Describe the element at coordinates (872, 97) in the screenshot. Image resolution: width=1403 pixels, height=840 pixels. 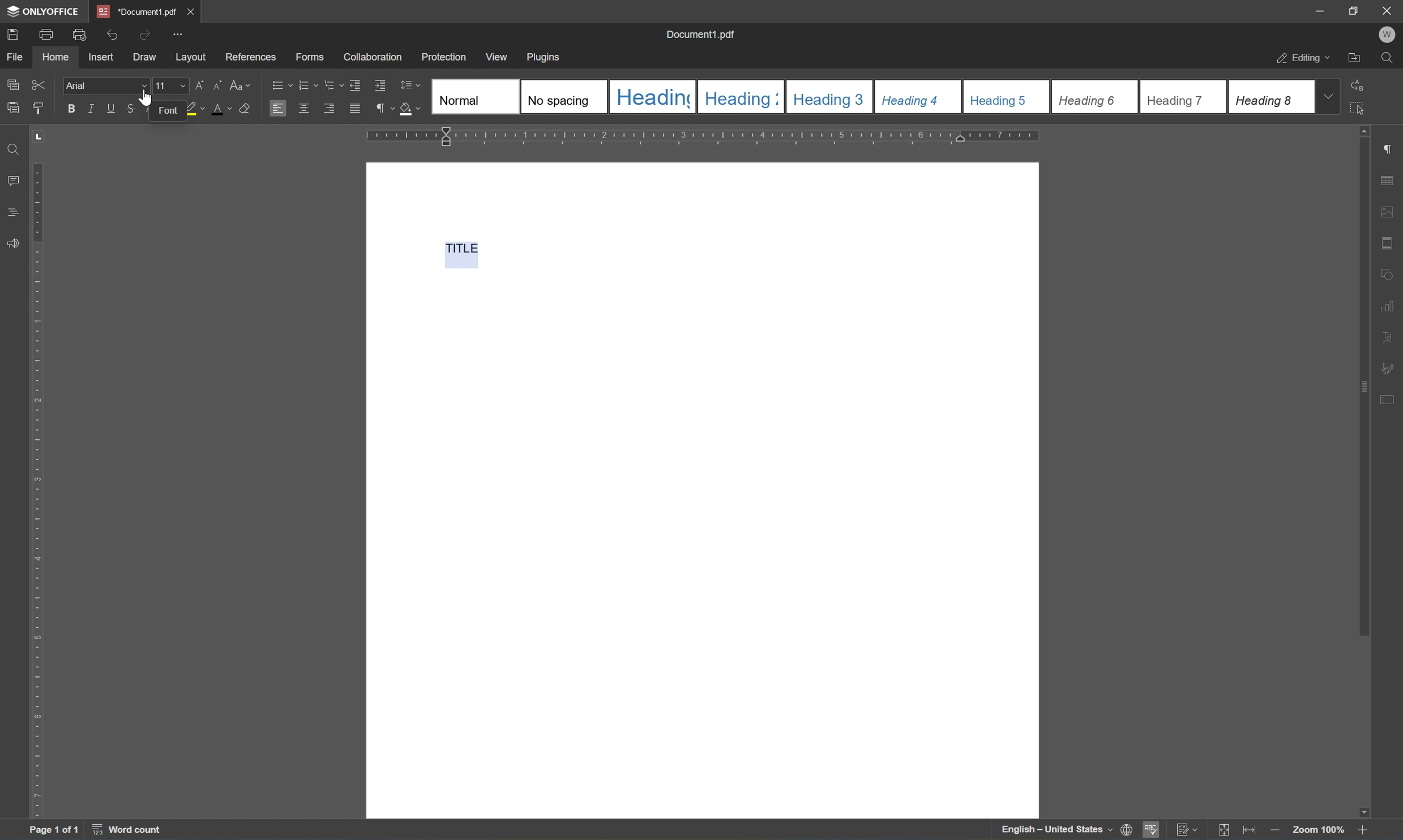
I see `Type of headings` at that location.